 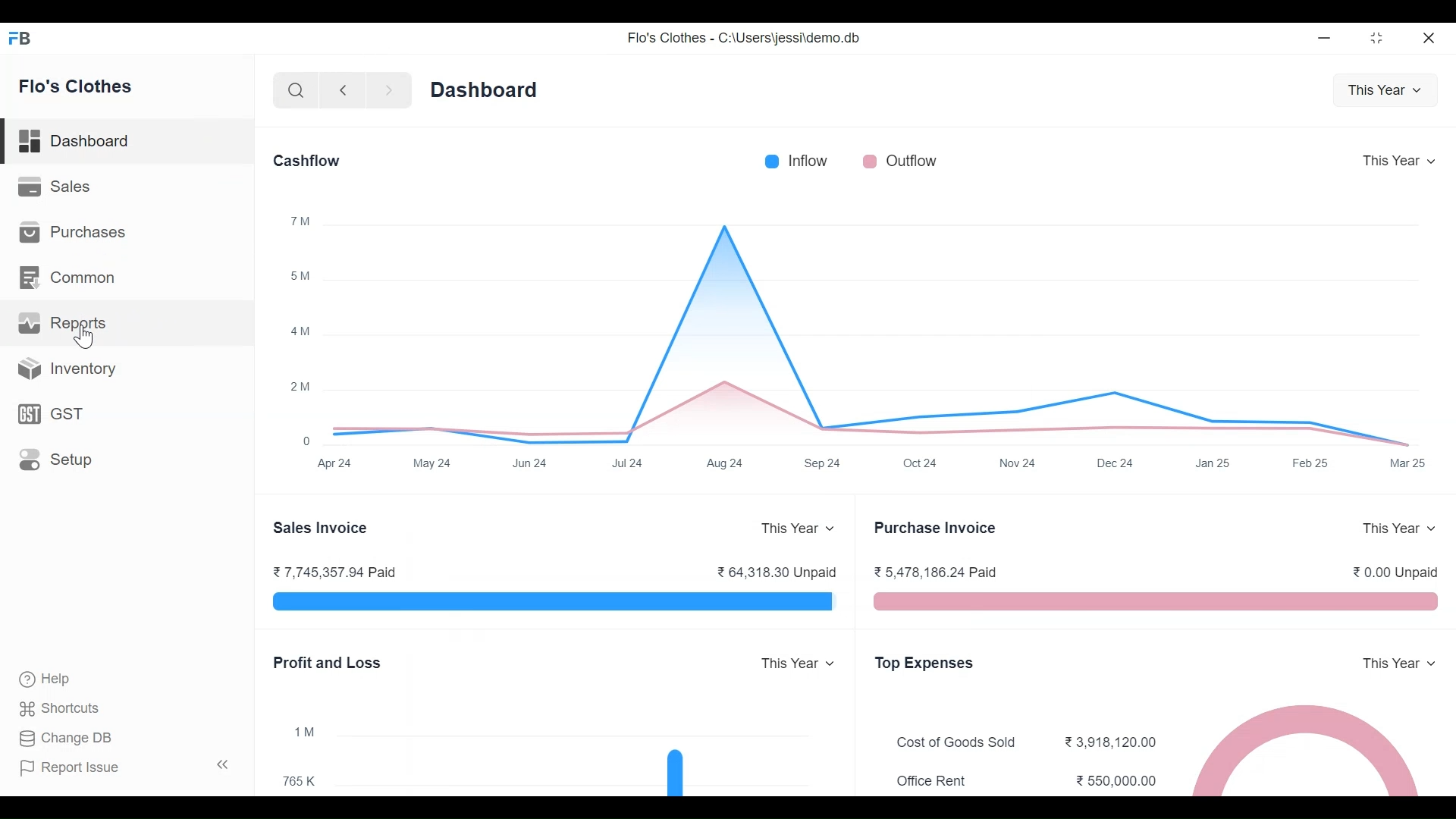 What do you see at coordinates (320, 529) in the screenshot?
I see `Sales Invoice` at bounding box center [320, 529].